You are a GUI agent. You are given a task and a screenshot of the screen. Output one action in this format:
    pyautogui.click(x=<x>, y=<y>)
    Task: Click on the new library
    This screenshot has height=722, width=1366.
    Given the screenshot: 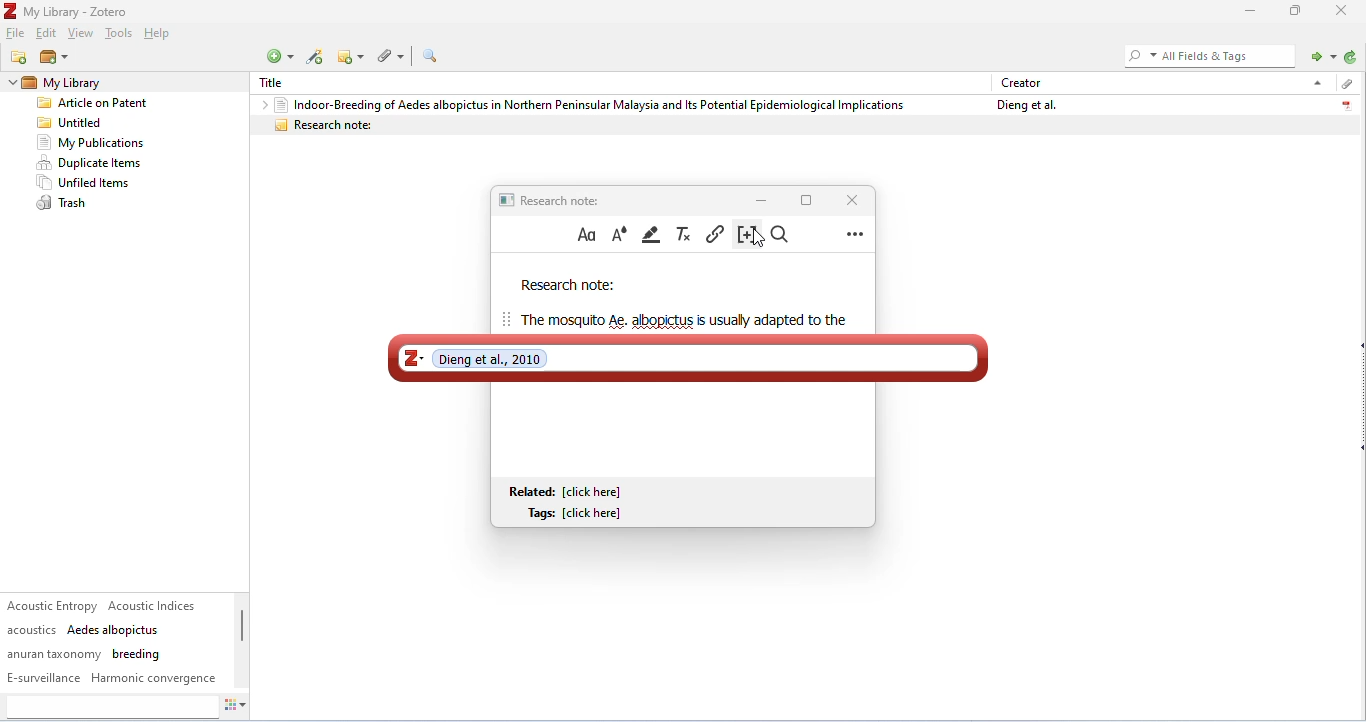 What is the action you would take?
    pyautogui.click(x=53, y=58)
    